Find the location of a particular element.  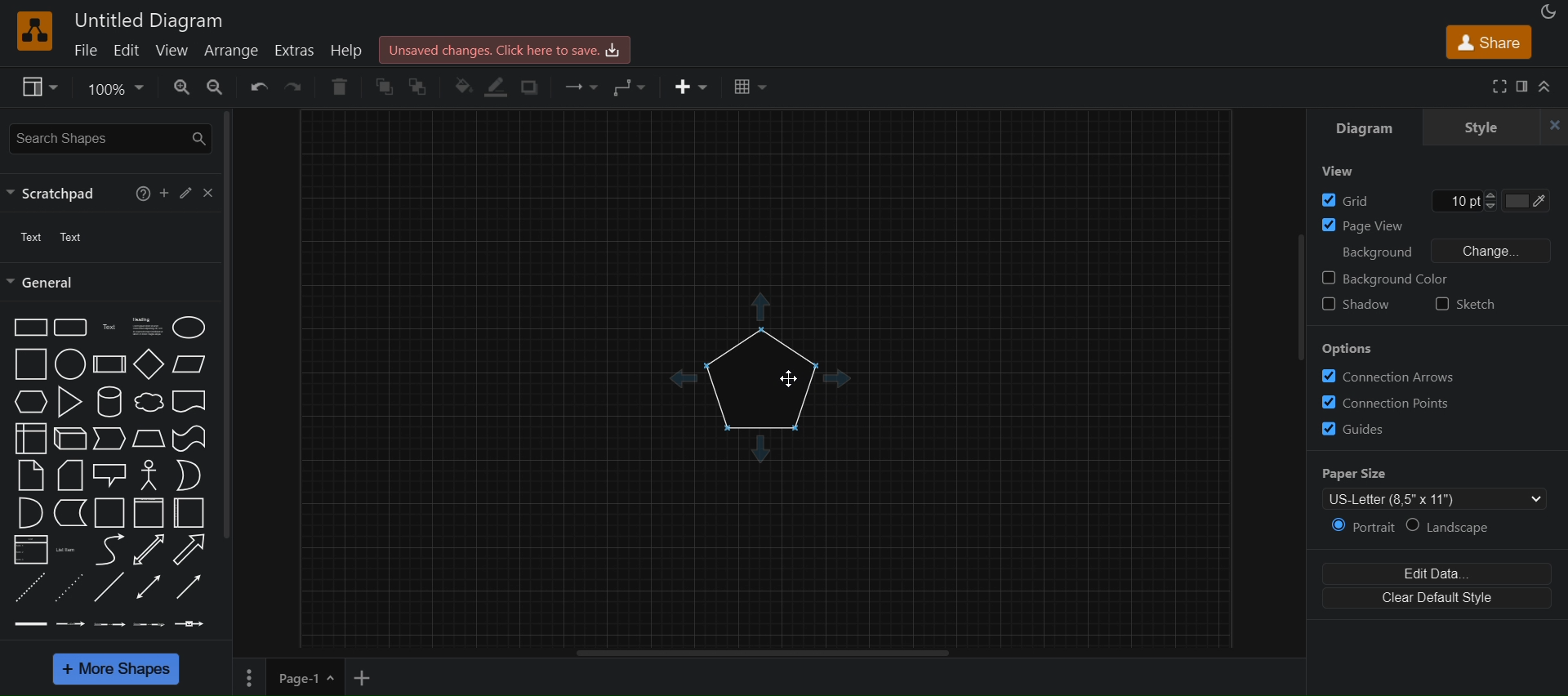

Connector with labels is located at coordinates (69, 624).